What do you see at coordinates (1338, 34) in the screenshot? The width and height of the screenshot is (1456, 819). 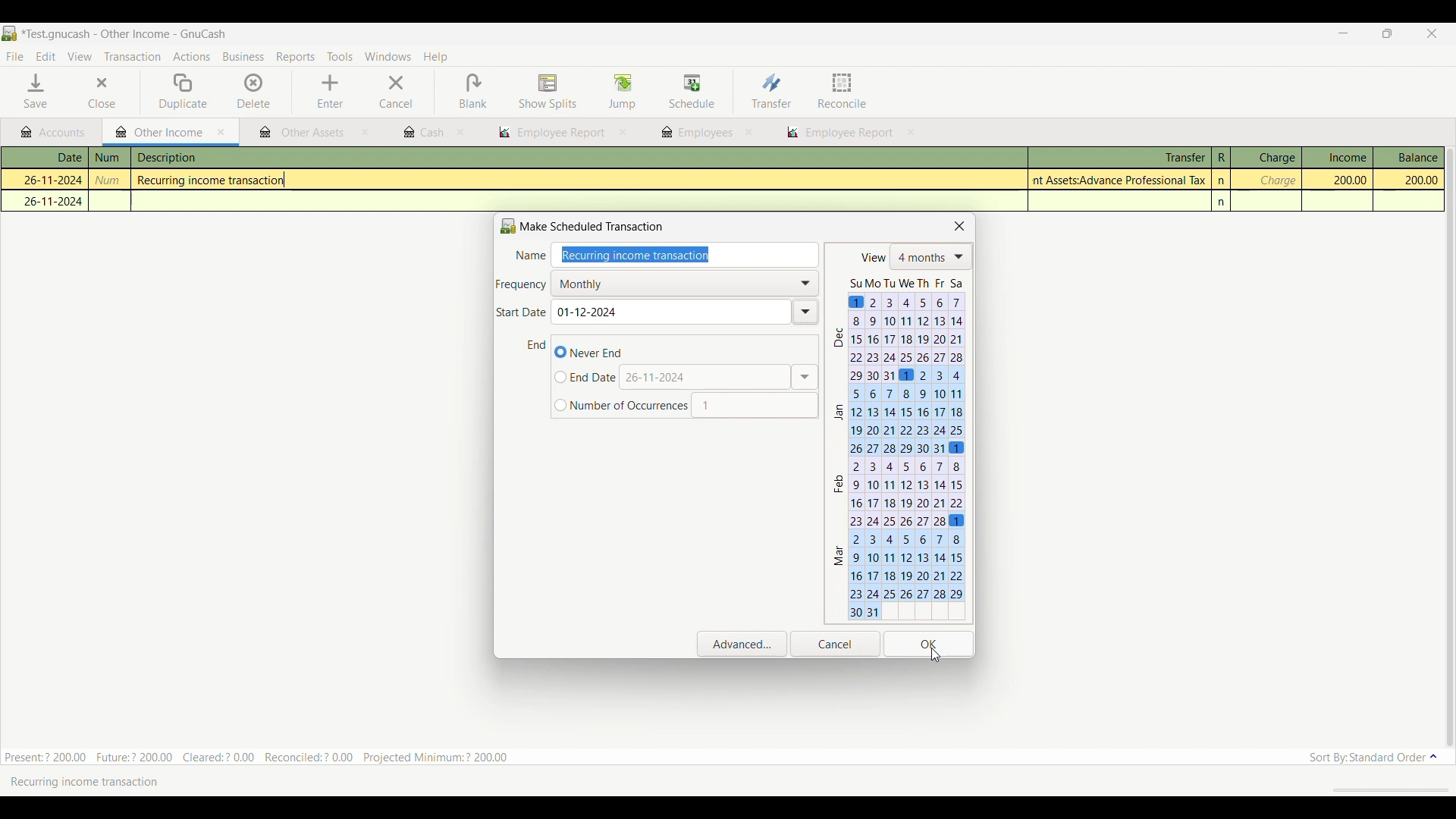 I see `Minimize` at bounding box center [1338, 34].